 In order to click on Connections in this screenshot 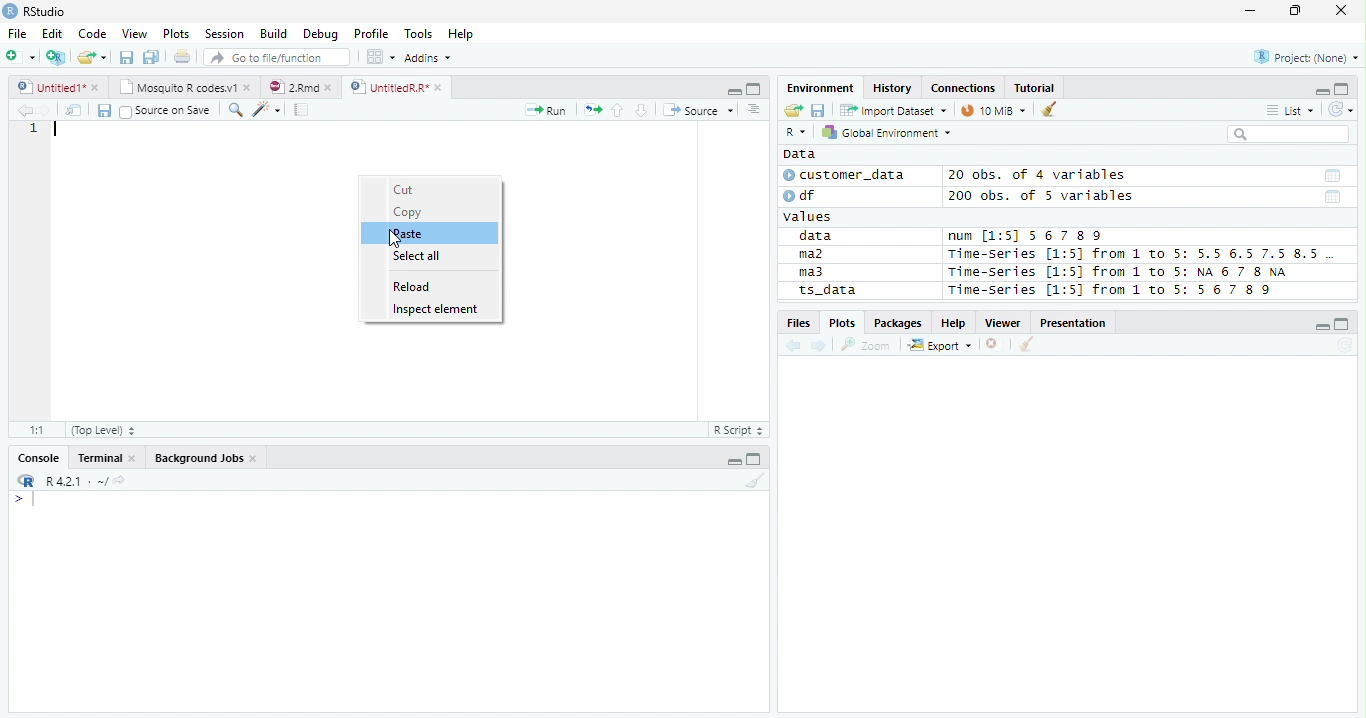, I will do `click(963, 88)`.